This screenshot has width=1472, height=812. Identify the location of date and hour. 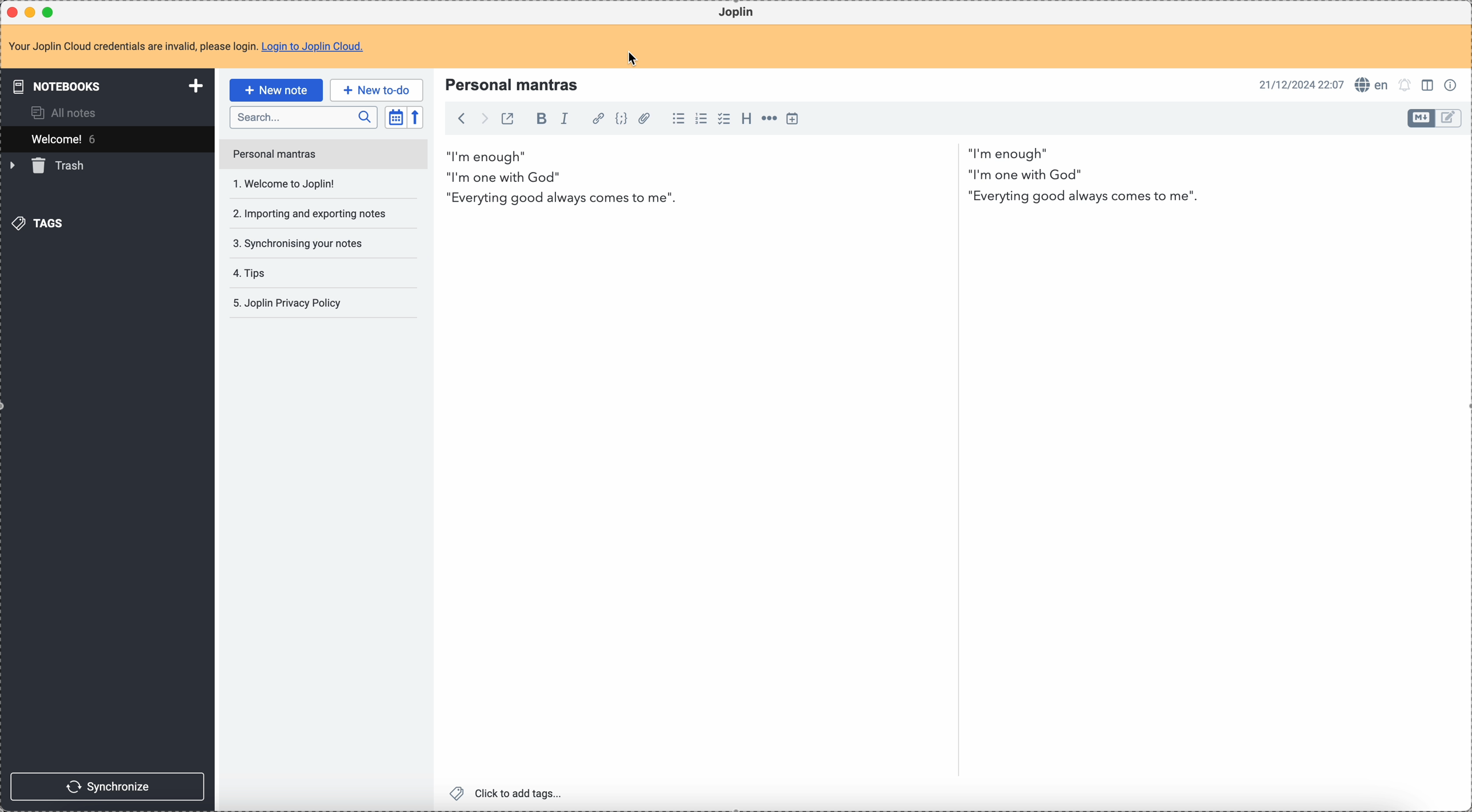
(1300, 85).